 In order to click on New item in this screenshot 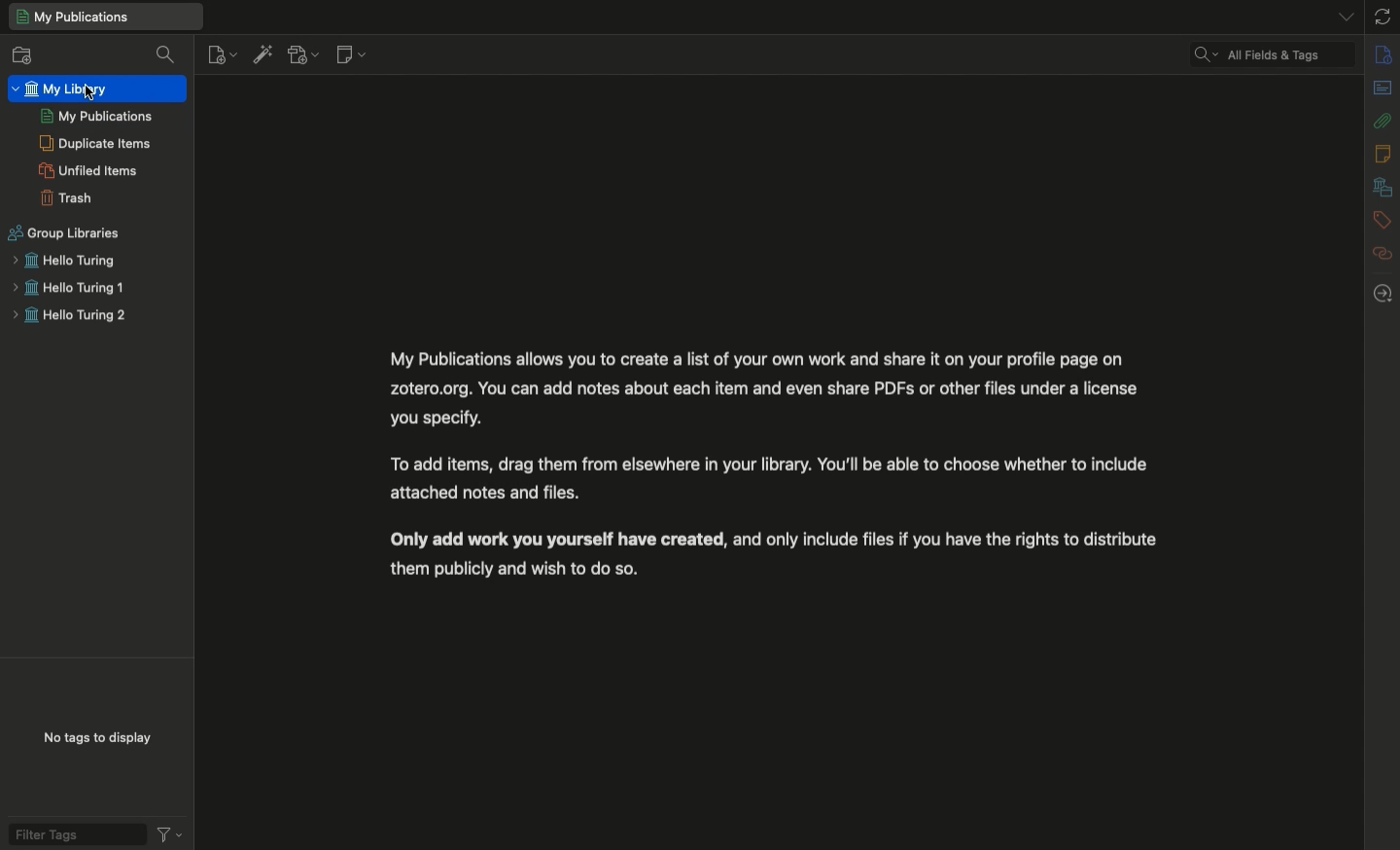, I will do `click(222, 53)`.